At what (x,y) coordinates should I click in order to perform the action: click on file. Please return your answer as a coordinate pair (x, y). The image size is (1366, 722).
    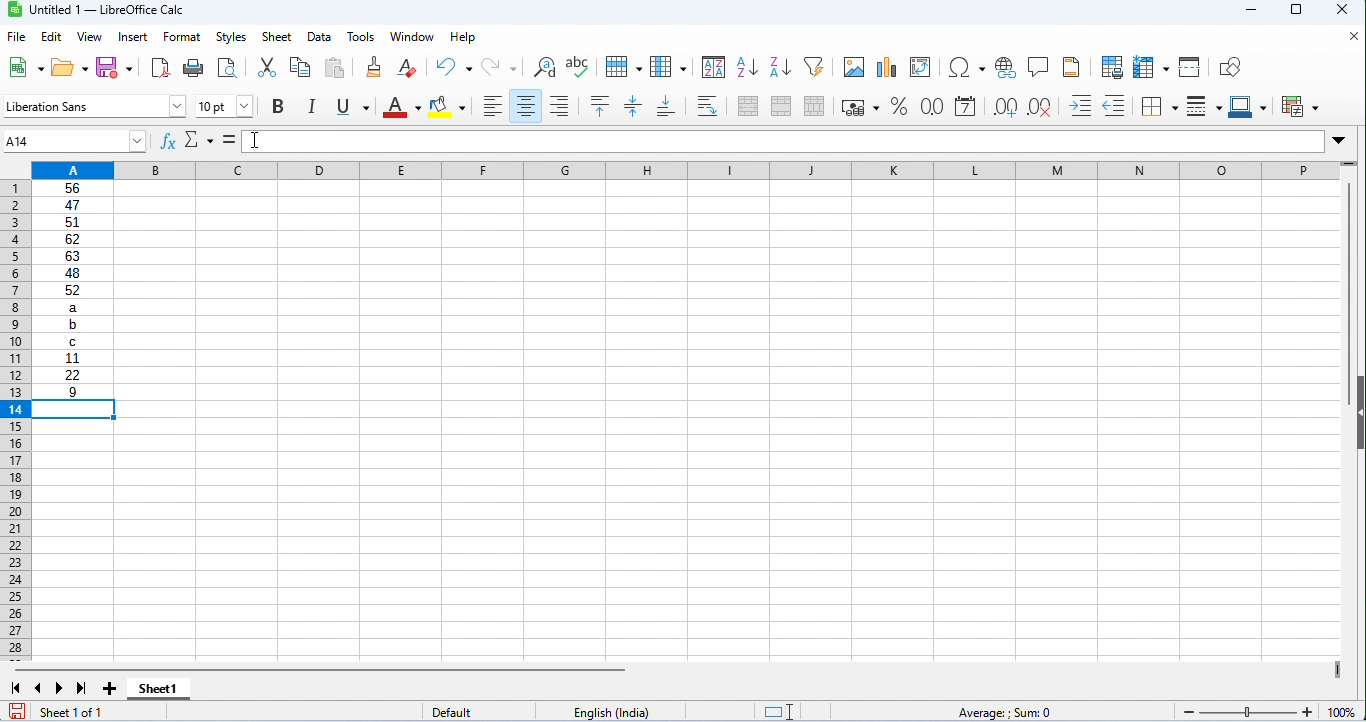
    Looking at the image, I should click on (16, 36).